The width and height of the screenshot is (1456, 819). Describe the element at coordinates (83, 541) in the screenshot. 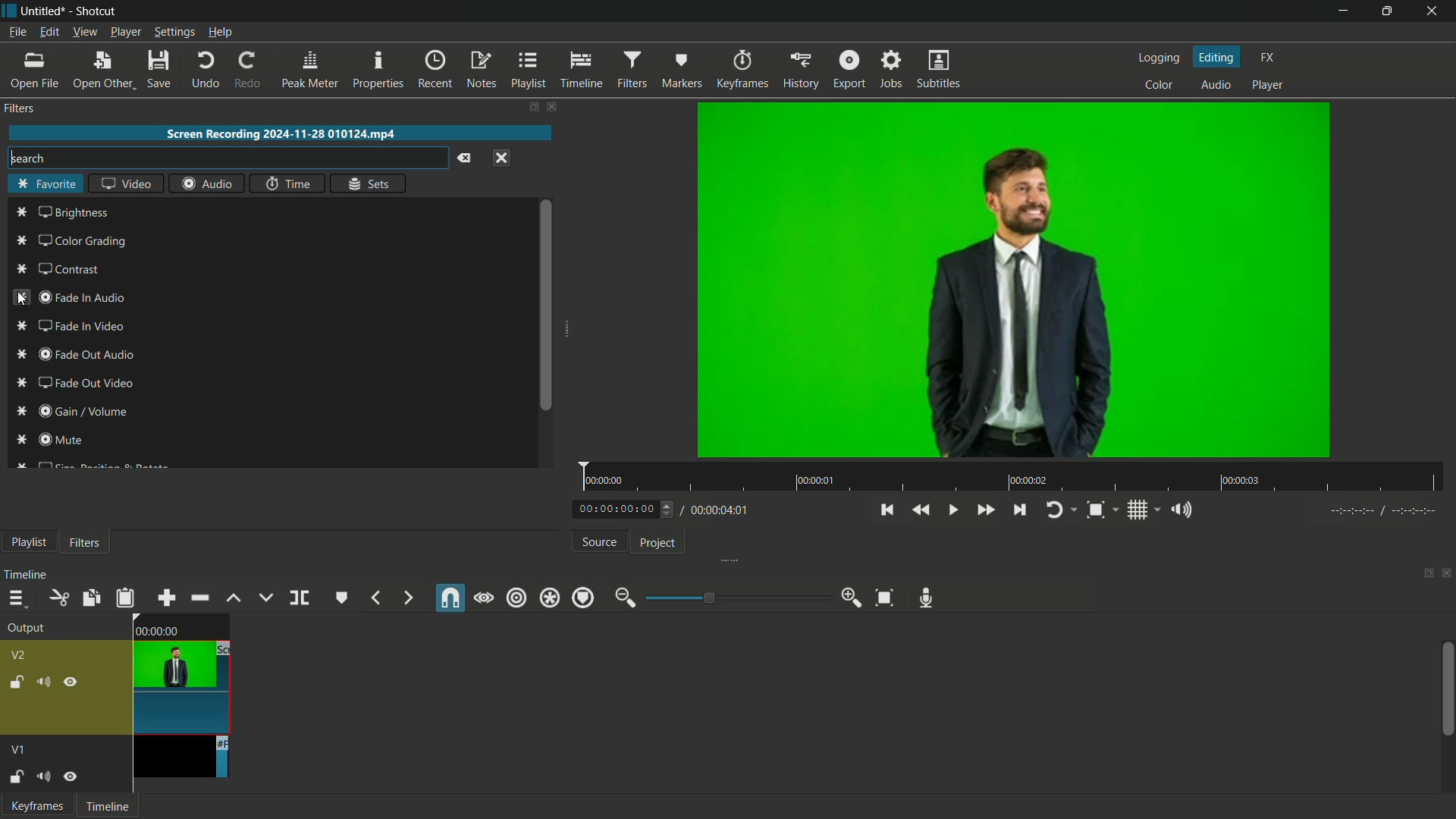

I see `filter` at that location.